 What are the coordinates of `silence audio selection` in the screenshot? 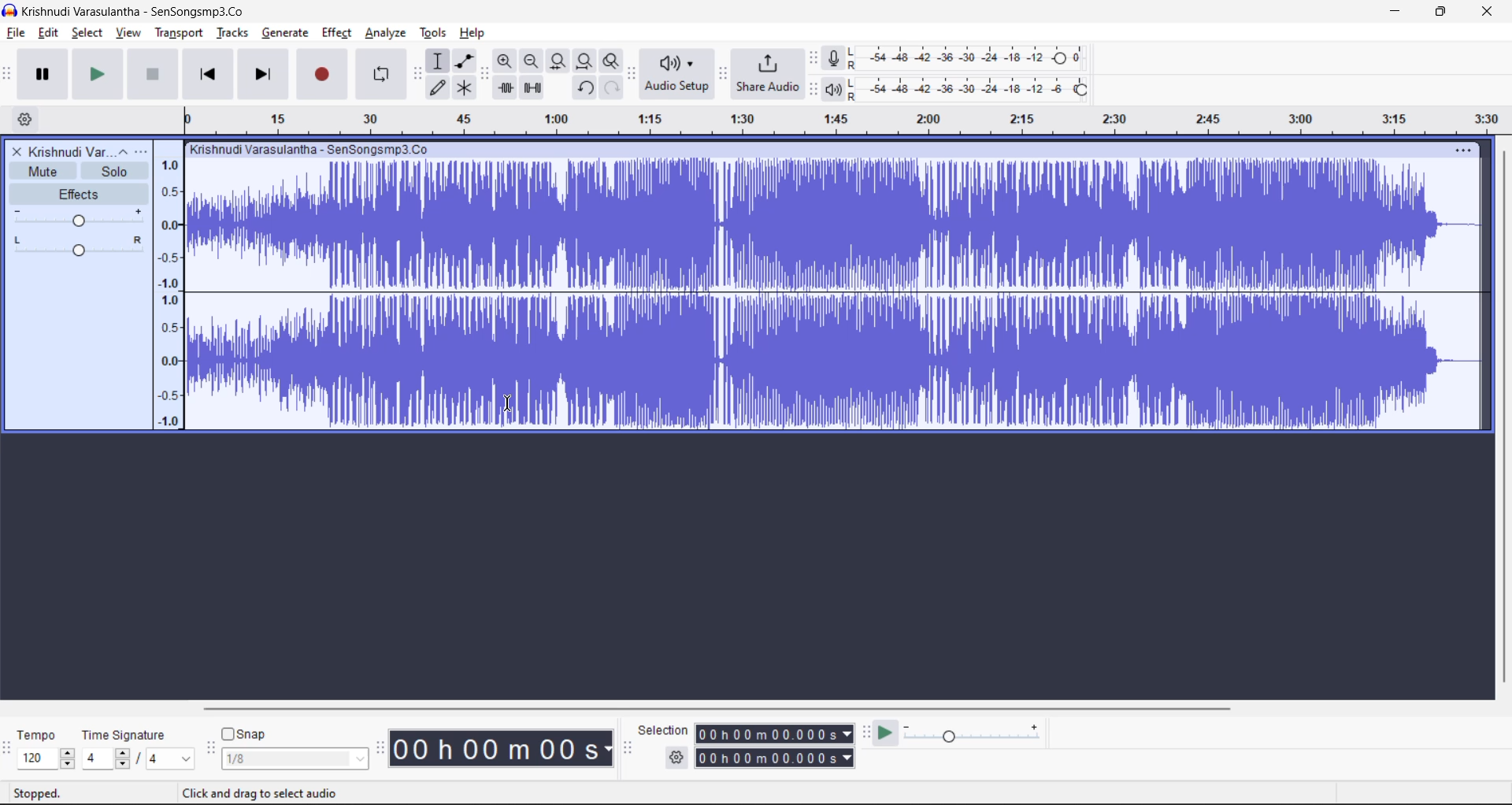 It's located at (533, 89).